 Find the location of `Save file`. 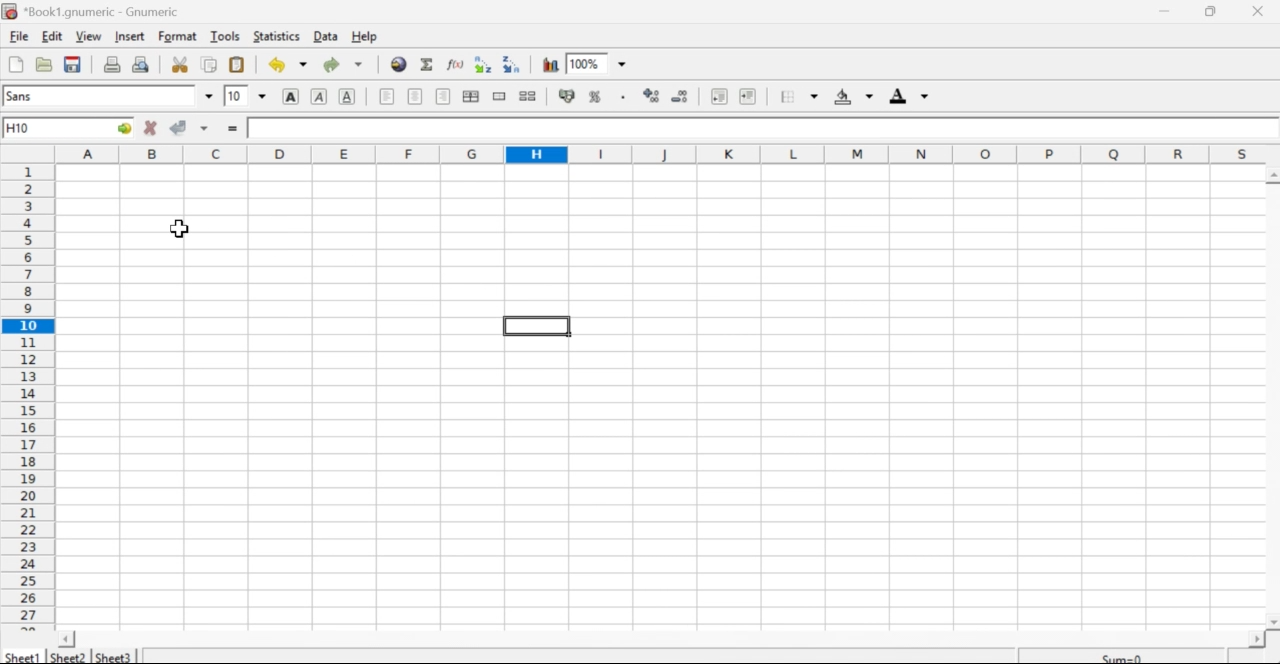

Save file is located at coordinates (73, 66).